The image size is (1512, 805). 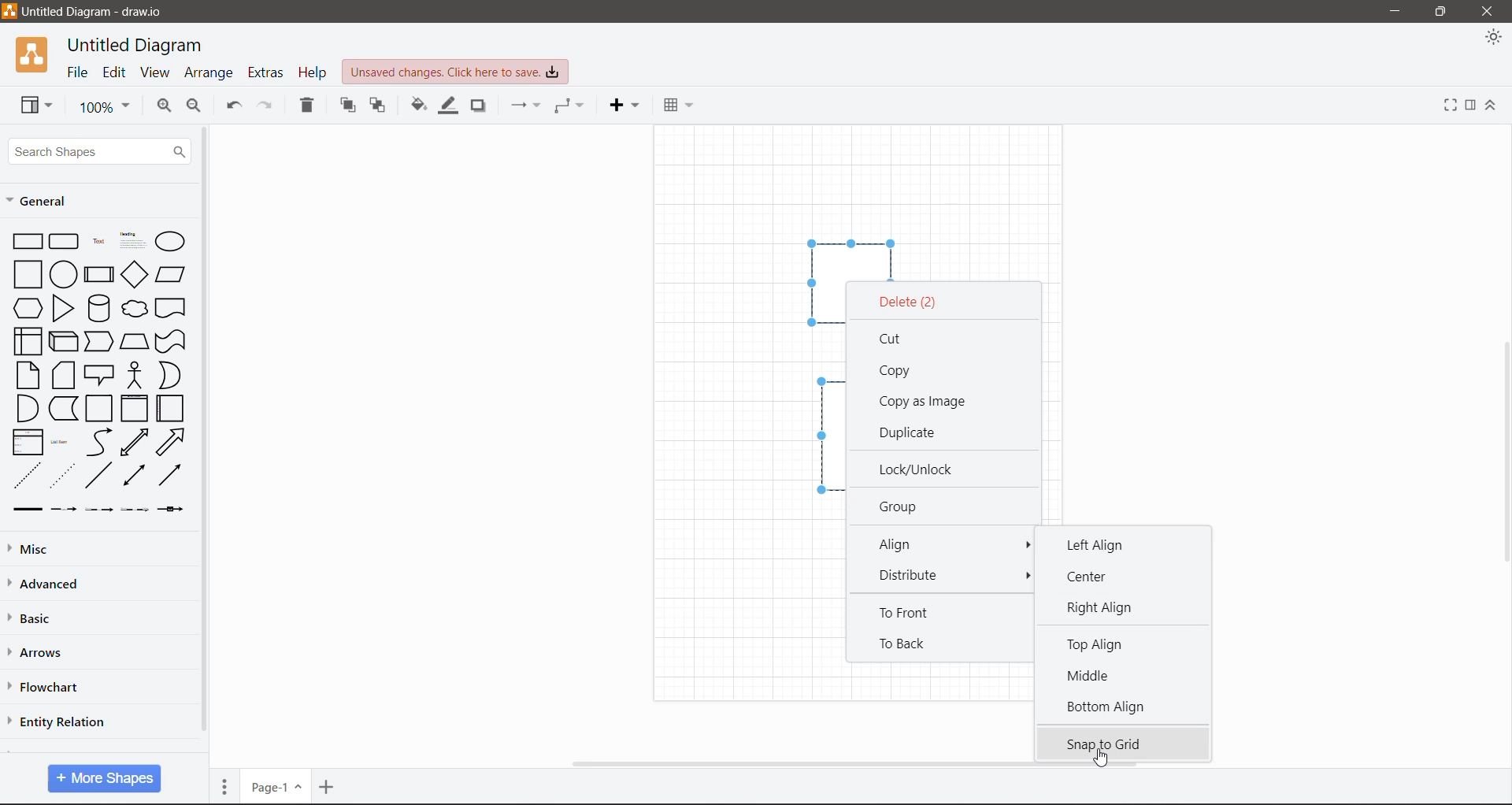 I want to click on Pages, so click(x=225, y=785).